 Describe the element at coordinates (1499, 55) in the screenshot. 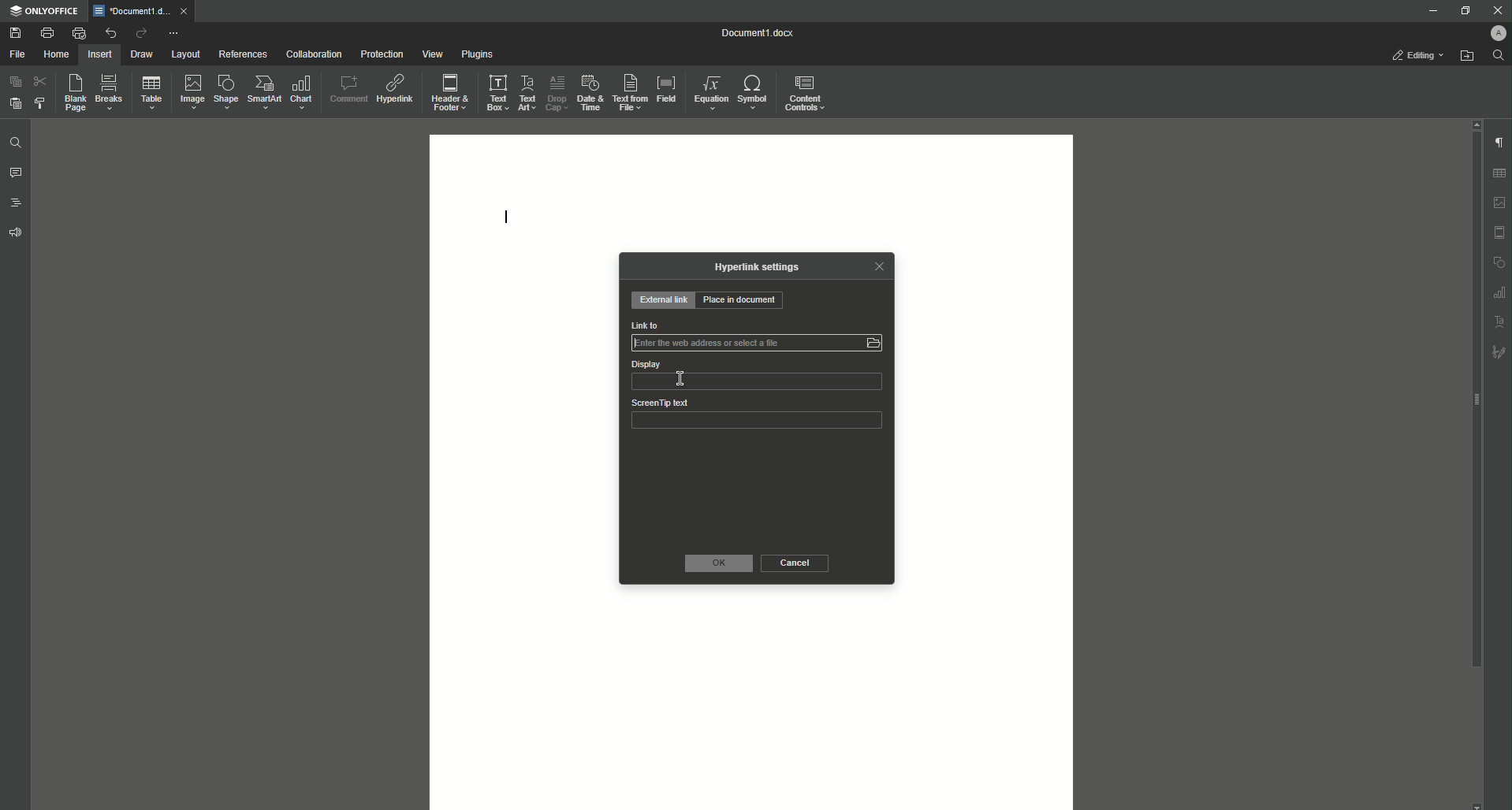

I see `Find` at that location.